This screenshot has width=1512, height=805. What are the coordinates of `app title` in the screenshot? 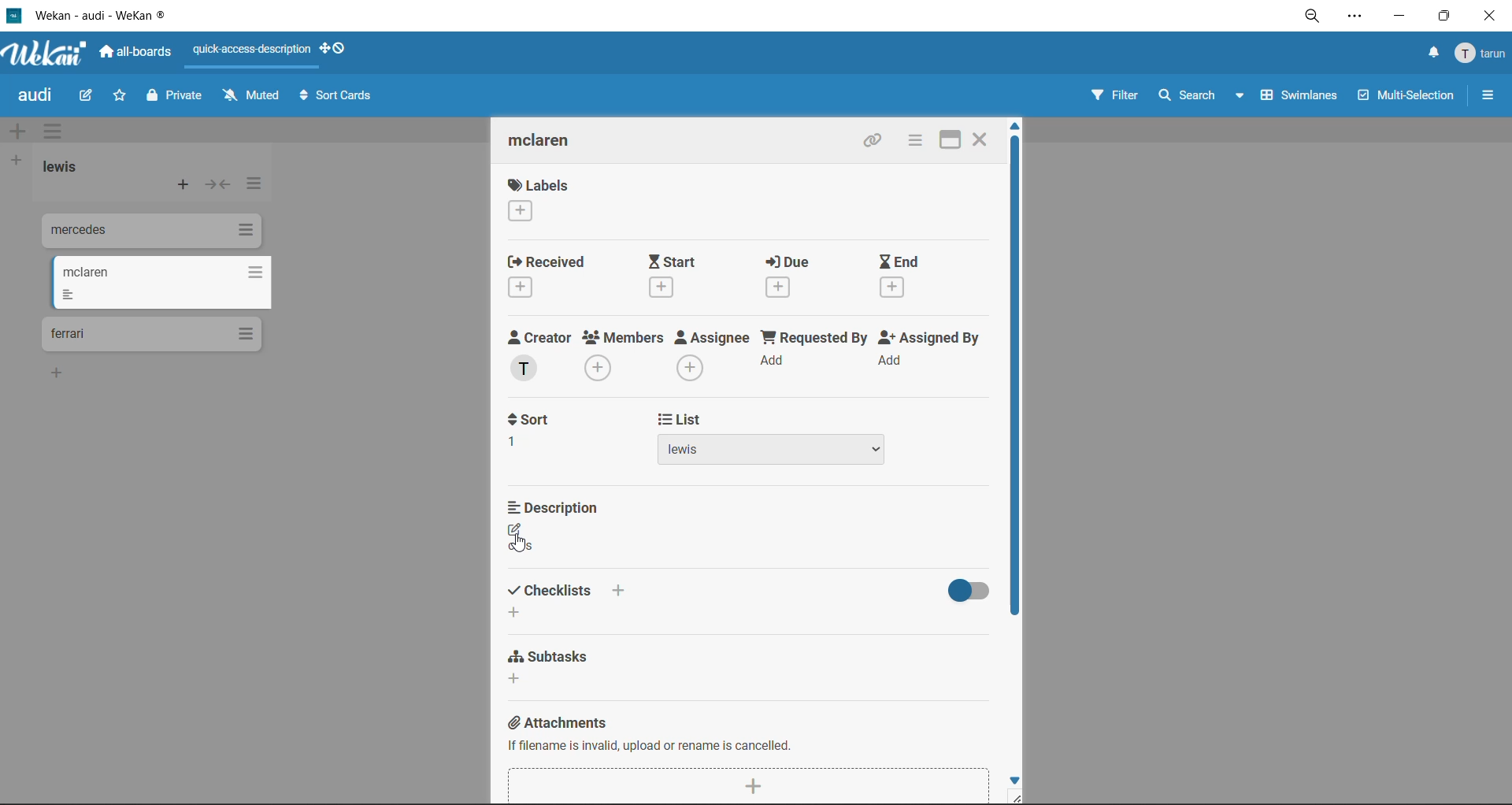 It's located at (91, 15).